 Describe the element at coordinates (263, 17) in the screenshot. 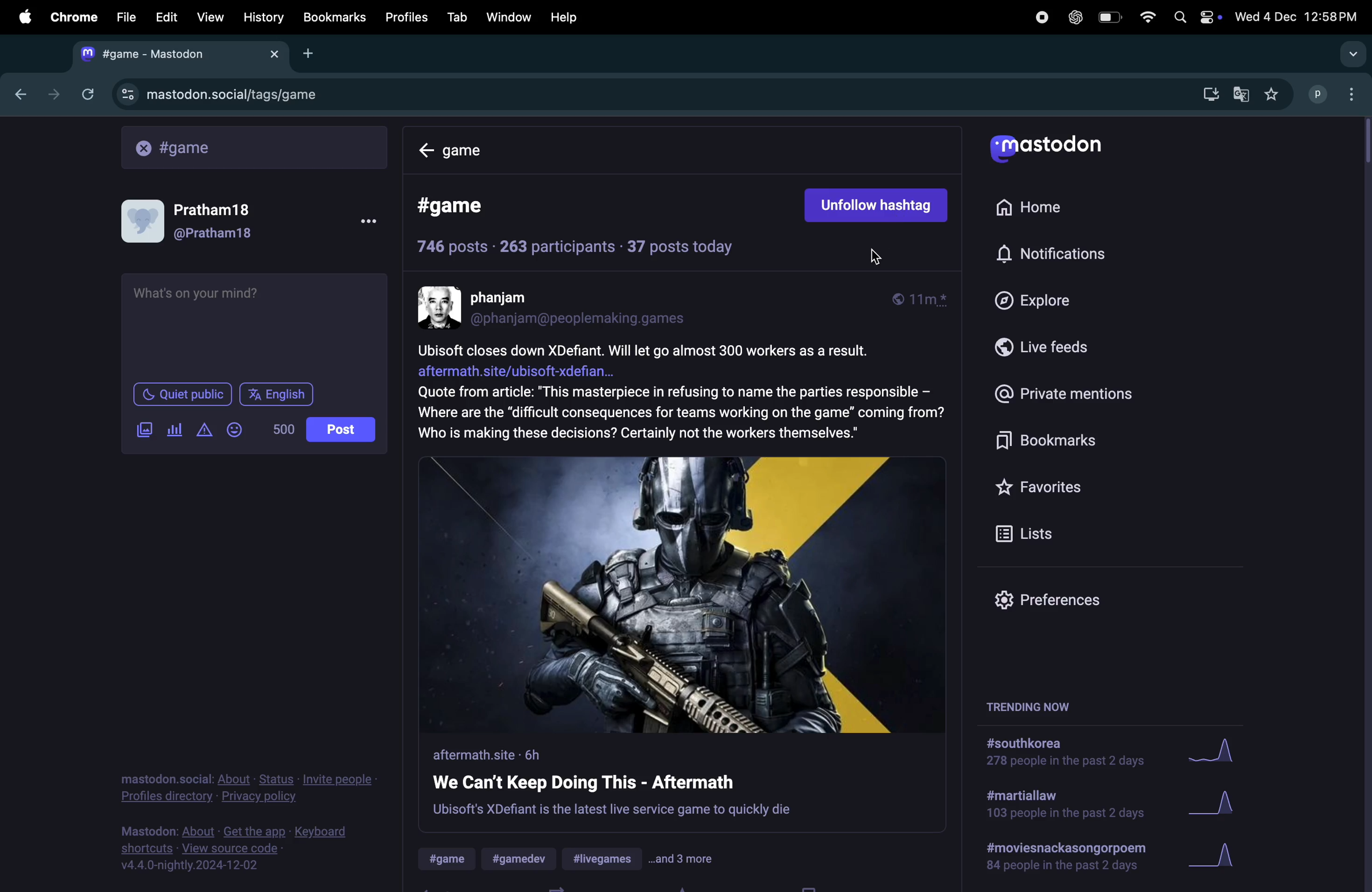

I see `History` at that location.